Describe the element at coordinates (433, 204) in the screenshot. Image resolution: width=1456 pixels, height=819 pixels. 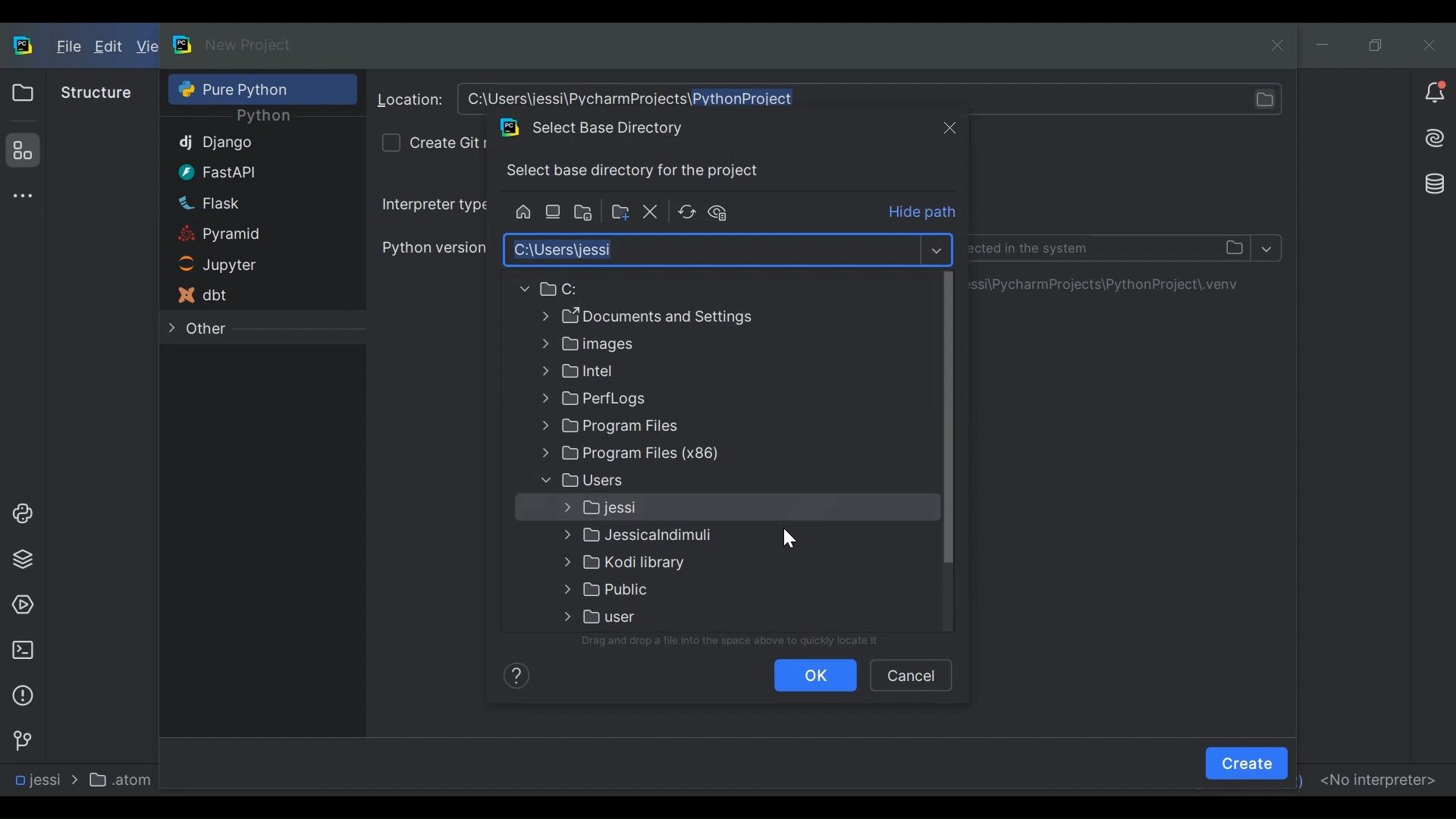
I see `Interpreter Type` at that location.